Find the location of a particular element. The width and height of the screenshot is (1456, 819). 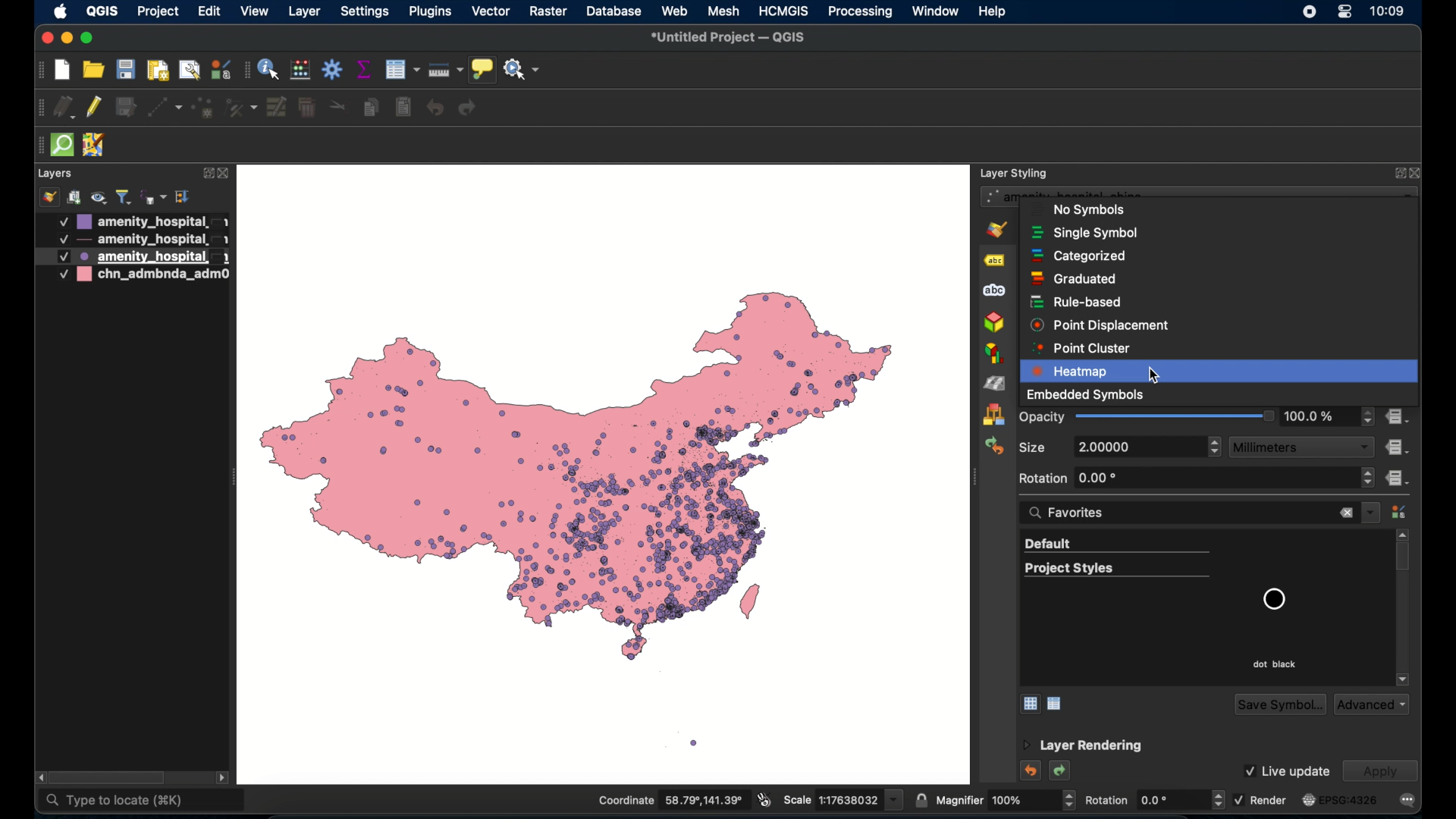

toggle mouse extents and display position is located at coordinates (764, 799).